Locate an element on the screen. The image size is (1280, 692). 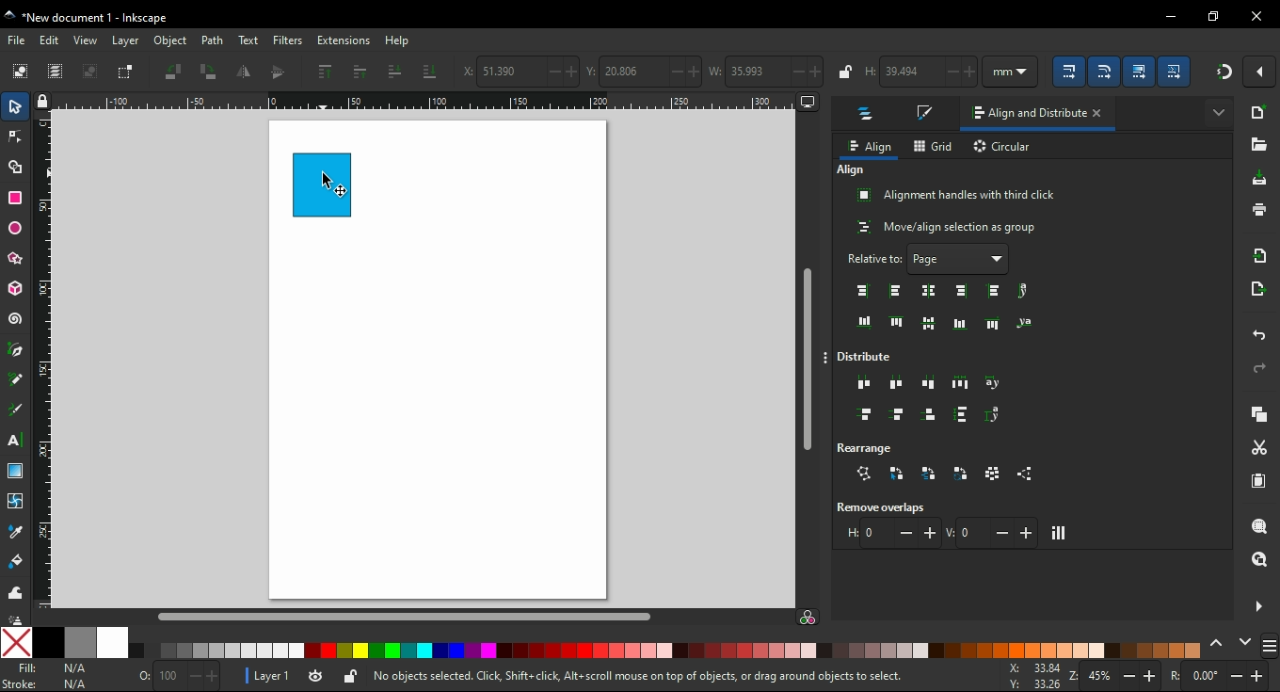
pencil tool is located at coordinates (16, 380).